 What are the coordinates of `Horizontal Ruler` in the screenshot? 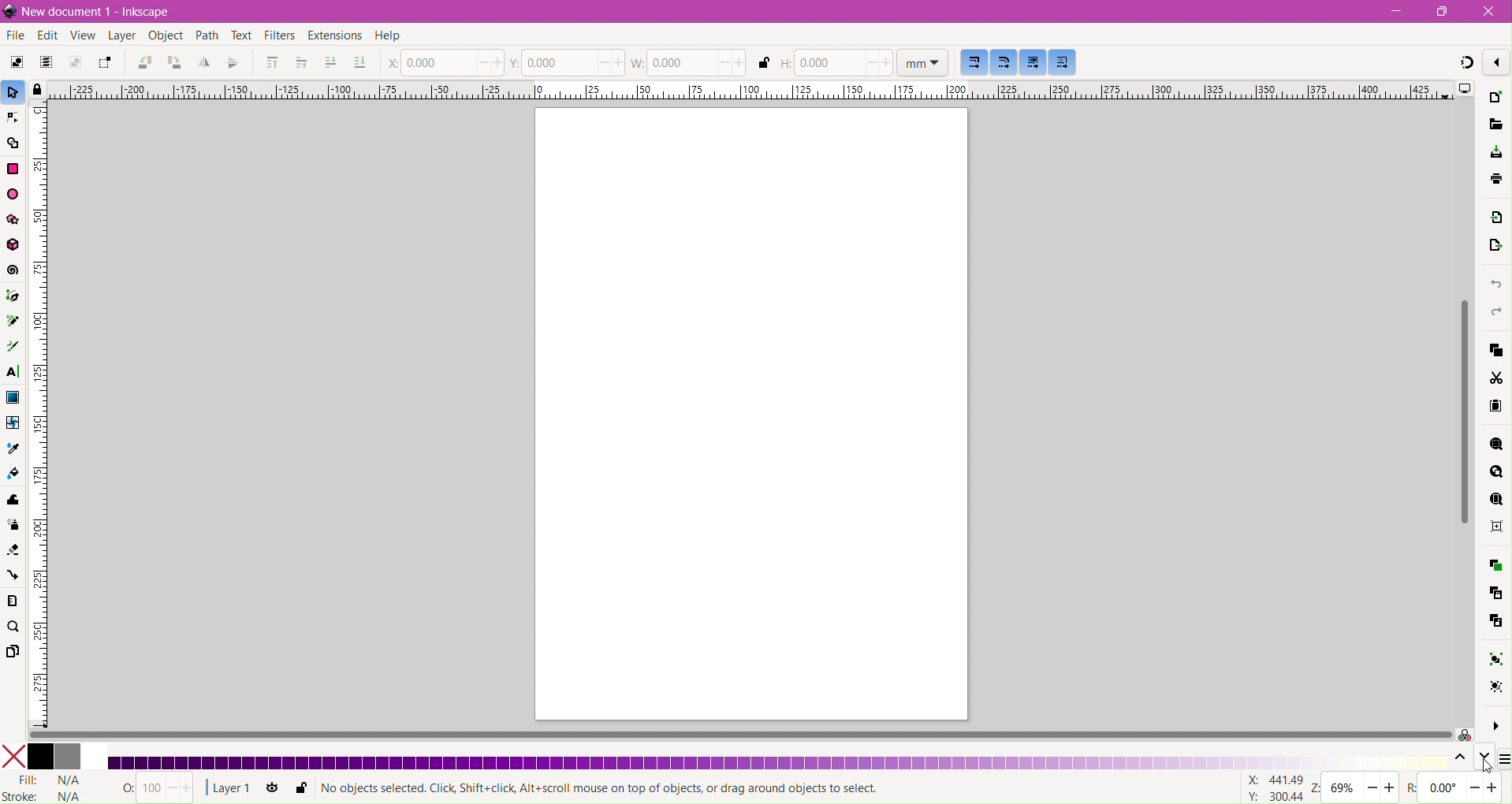 It's located at (747, 90).